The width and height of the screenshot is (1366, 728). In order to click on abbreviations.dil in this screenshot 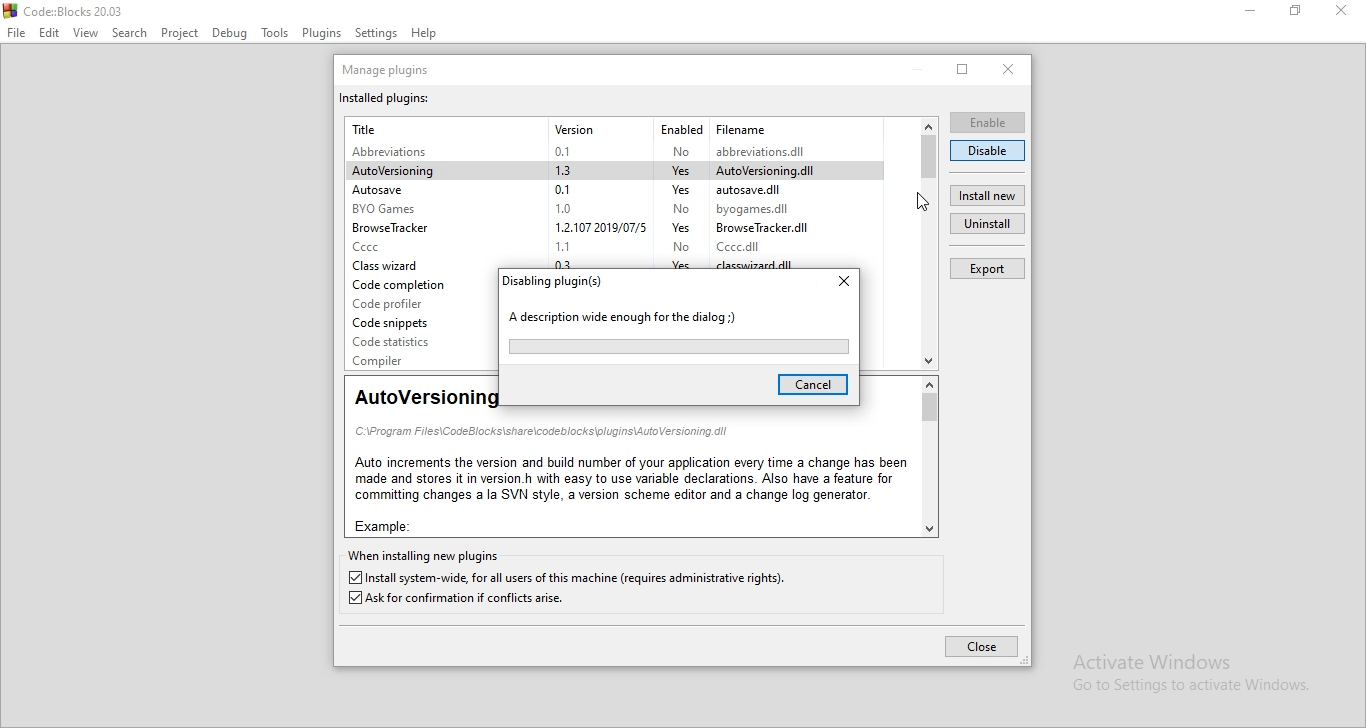, I will do `click(770, 150)`.